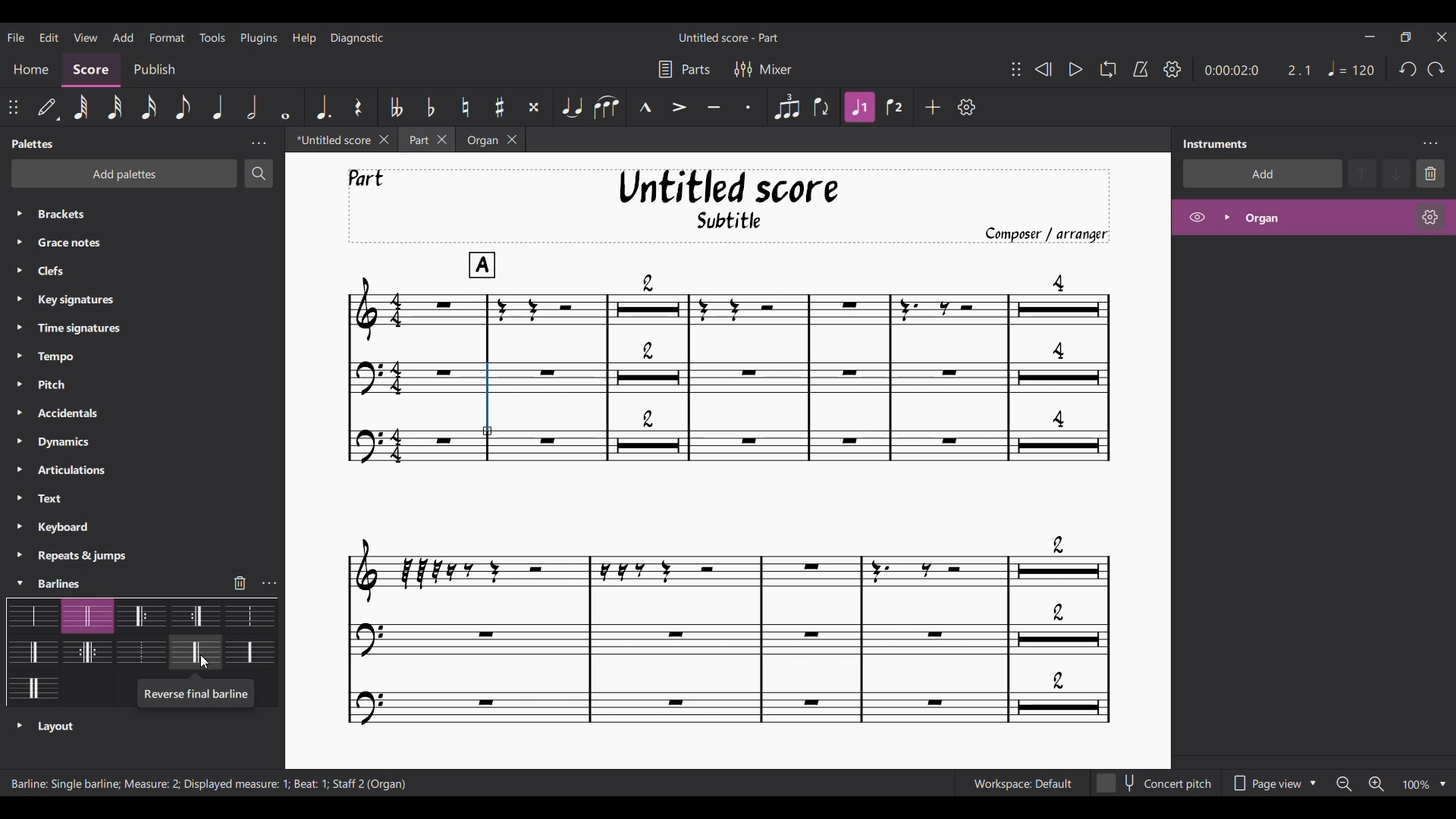 The image size is (1456, 819). I want to click on Flip direction, so click(822, 107).